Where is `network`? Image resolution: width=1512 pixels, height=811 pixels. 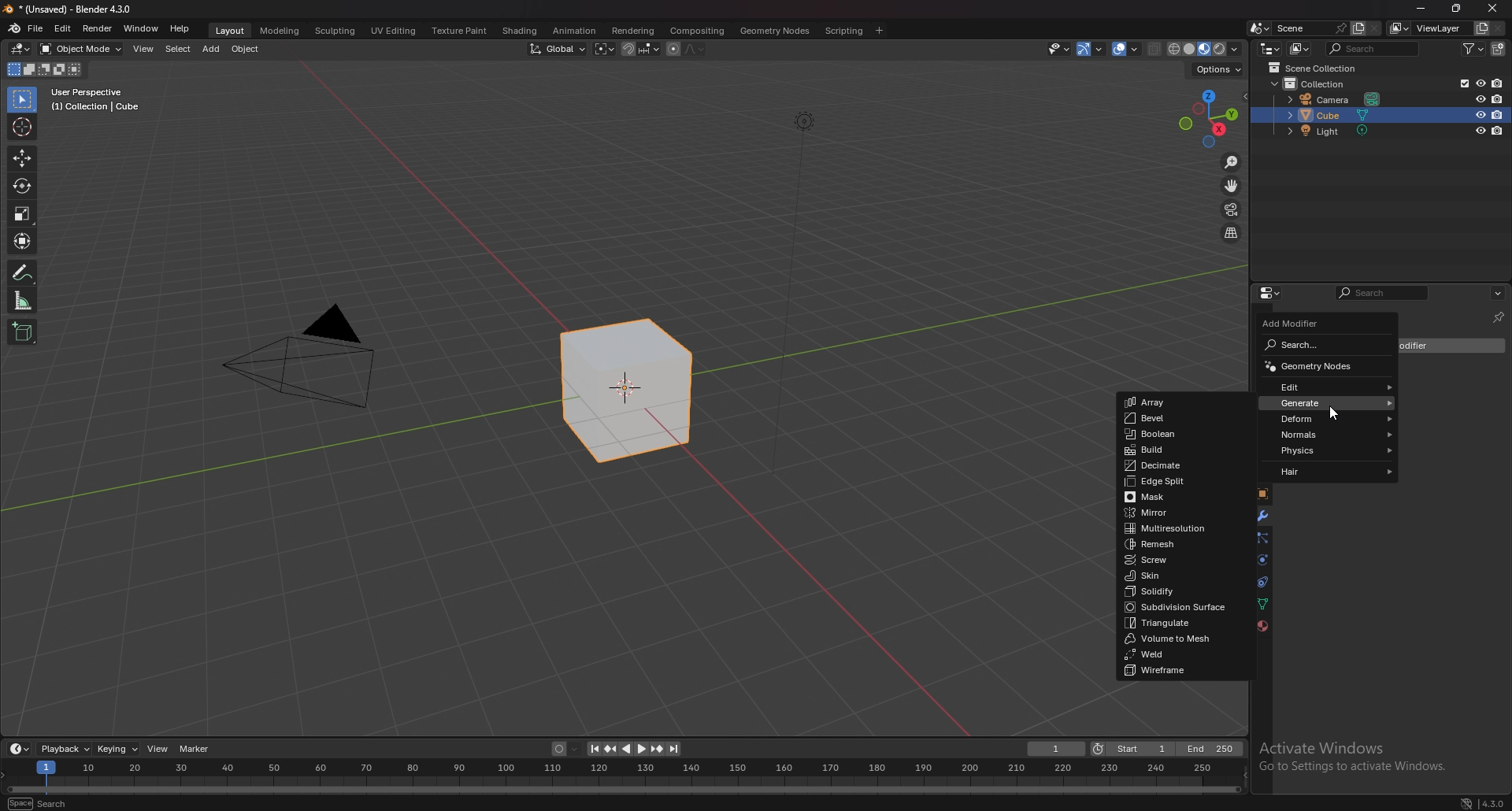
network is located at coordinates (1466, 800).